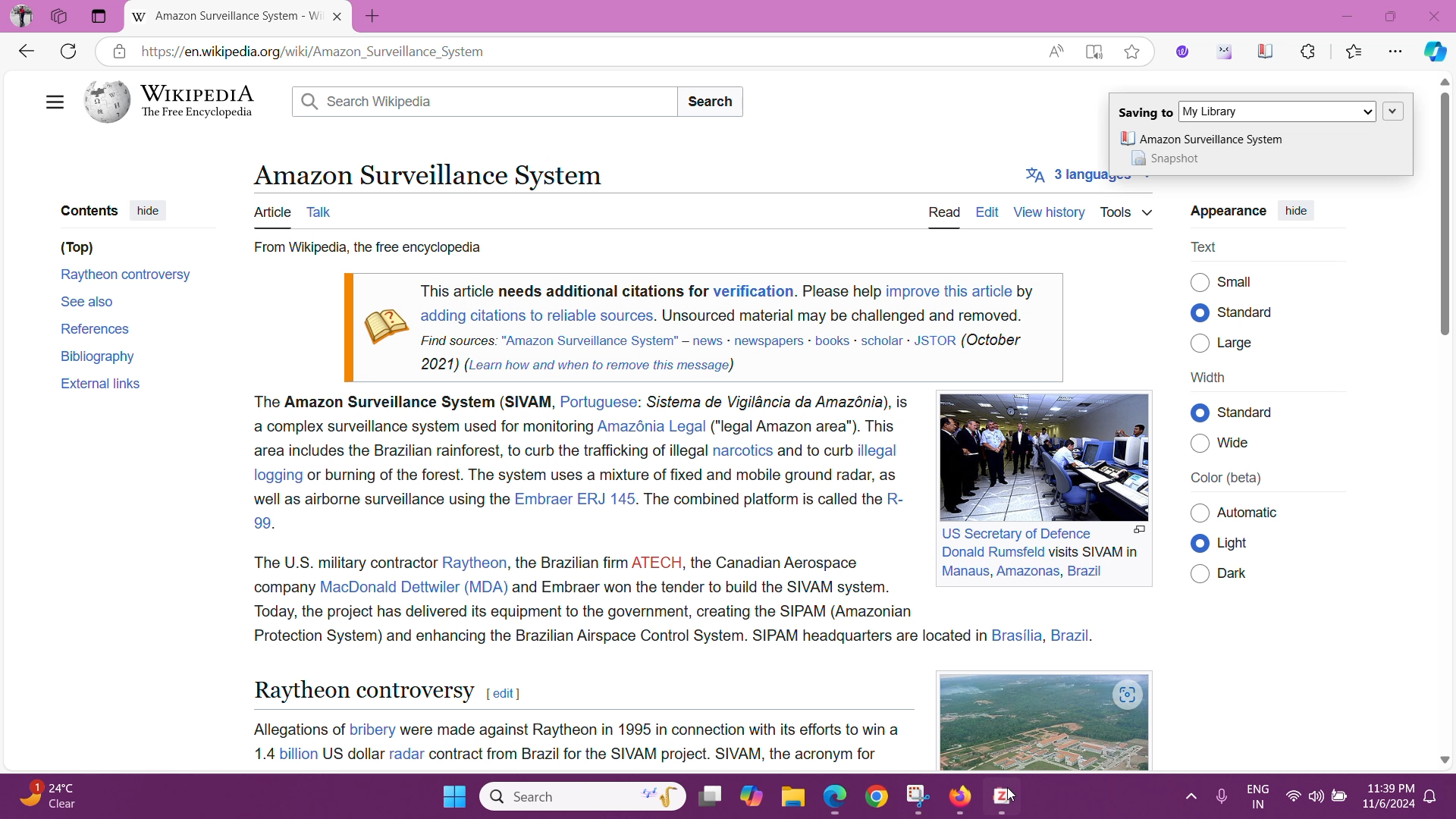 The height and width of the screenshot is (819, 1456). What do you see at coordinates (1200, 513) in the screenshot?
I see `` at bounding box center [1200, 513].